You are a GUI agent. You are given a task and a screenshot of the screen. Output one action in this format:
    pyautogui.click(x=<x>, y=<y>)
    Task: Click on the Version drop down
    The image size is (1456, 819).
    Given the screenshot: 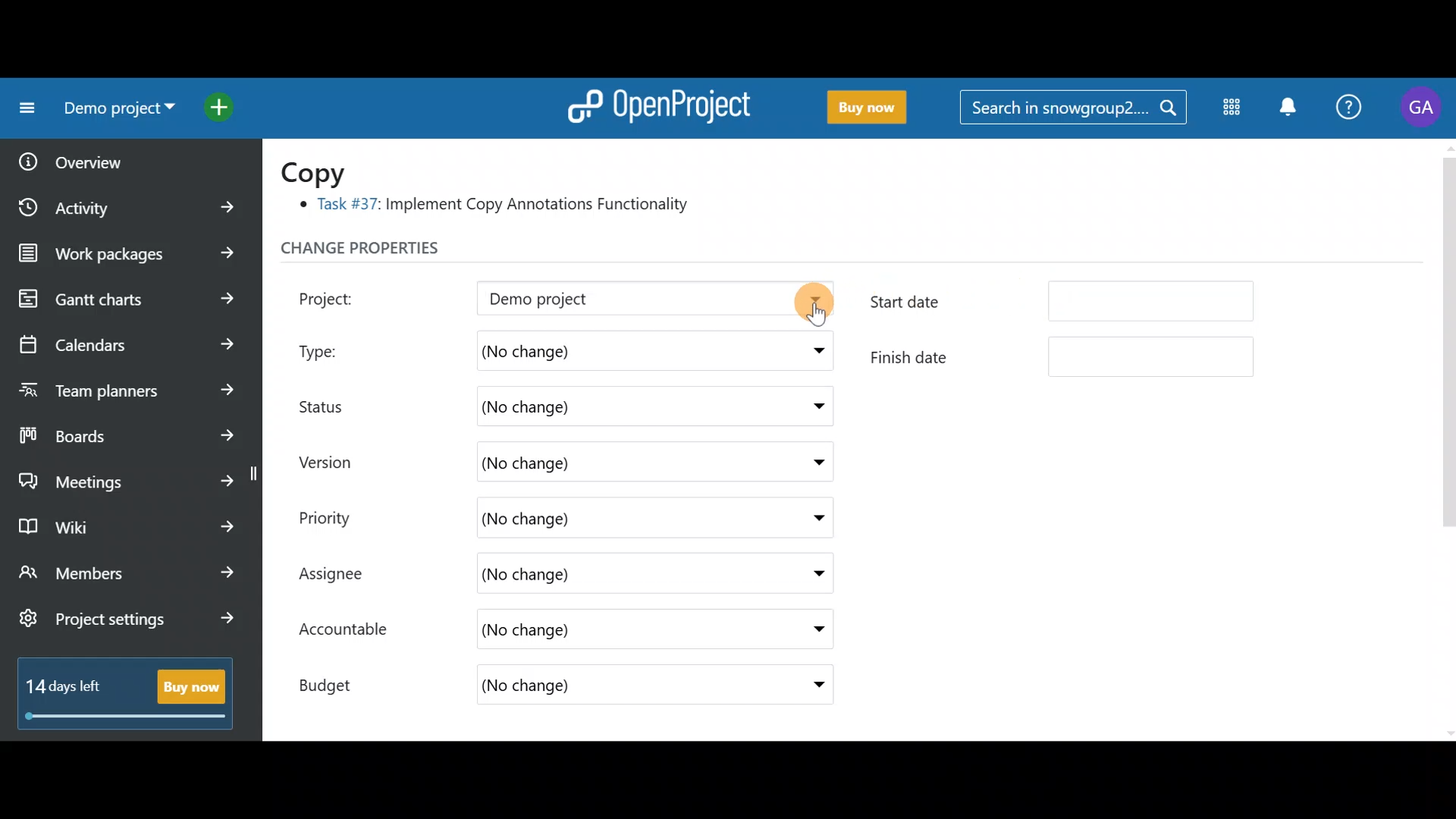 What is the action you would take?
    pyautogui.click(x=811, y=461)
    